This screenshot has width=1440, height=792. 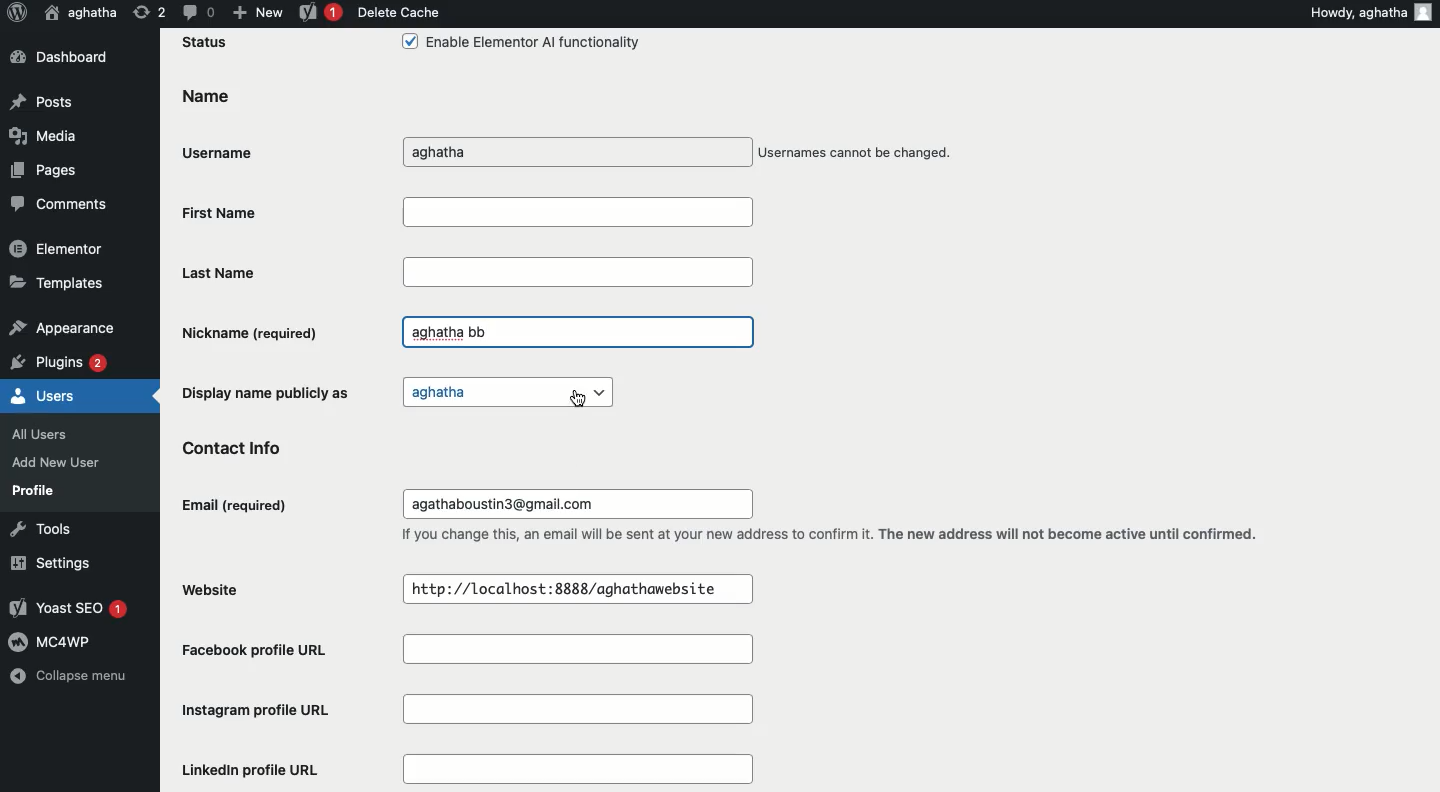 I want to click on aghatha, so click(x=472, y=152).